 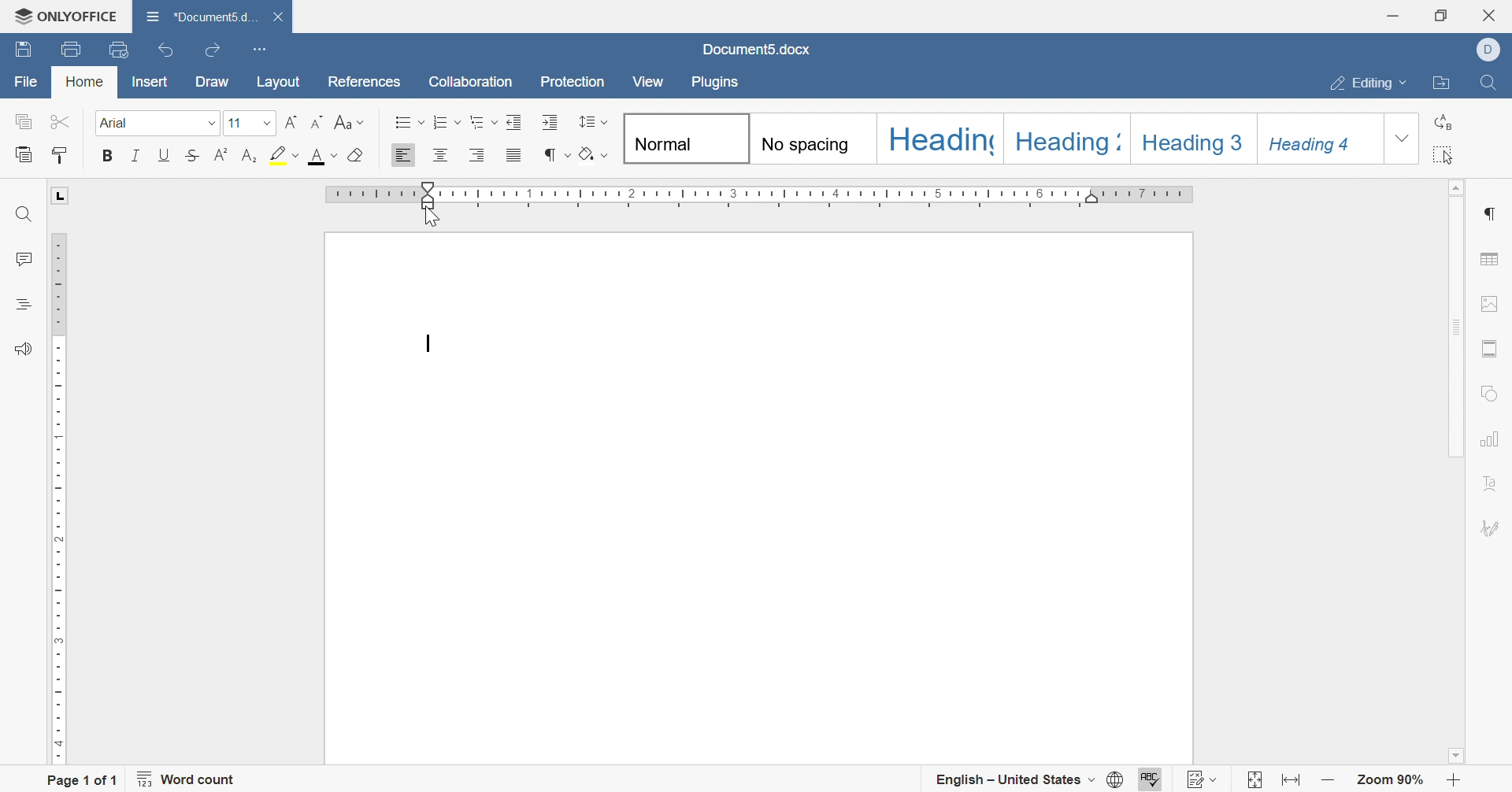 I want to click on shape settings, so click(x=1494, y=392).